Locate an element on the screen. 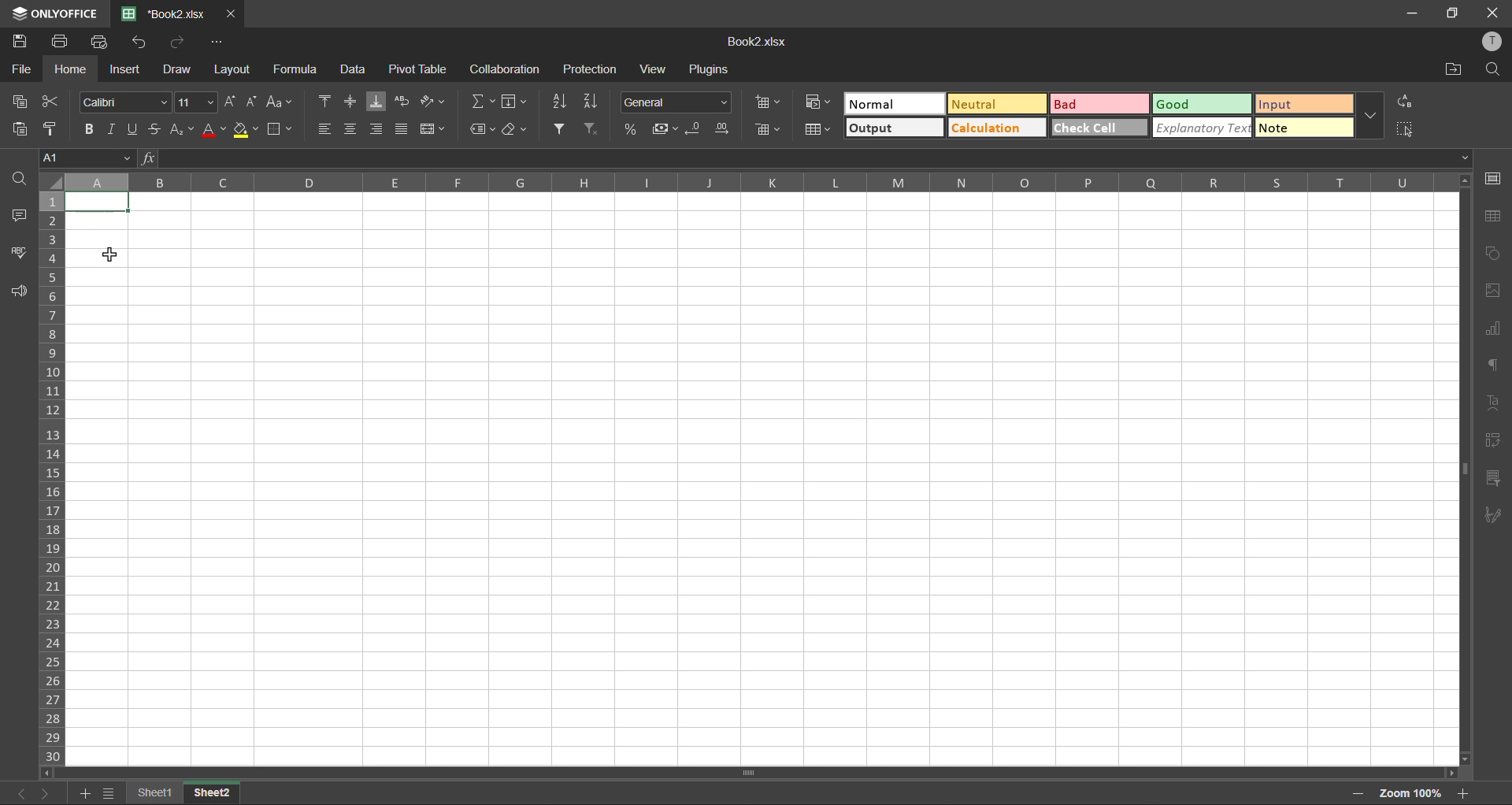 The image size is (1512, 805). plugins is located at coordinates (713, 72).